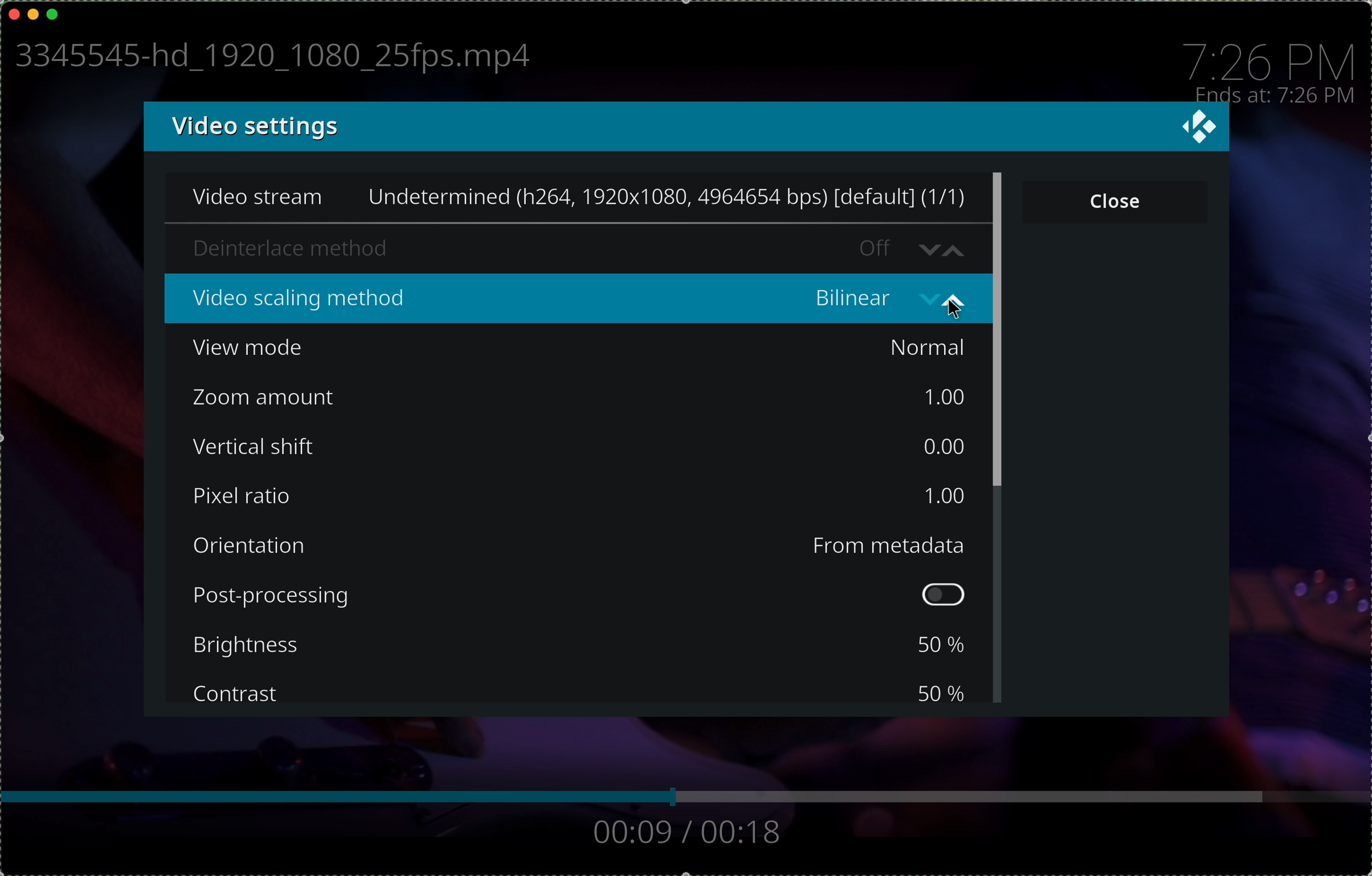  Describe the element at coordinates (268, 58) in the screenshot. I see `name file` at that location.